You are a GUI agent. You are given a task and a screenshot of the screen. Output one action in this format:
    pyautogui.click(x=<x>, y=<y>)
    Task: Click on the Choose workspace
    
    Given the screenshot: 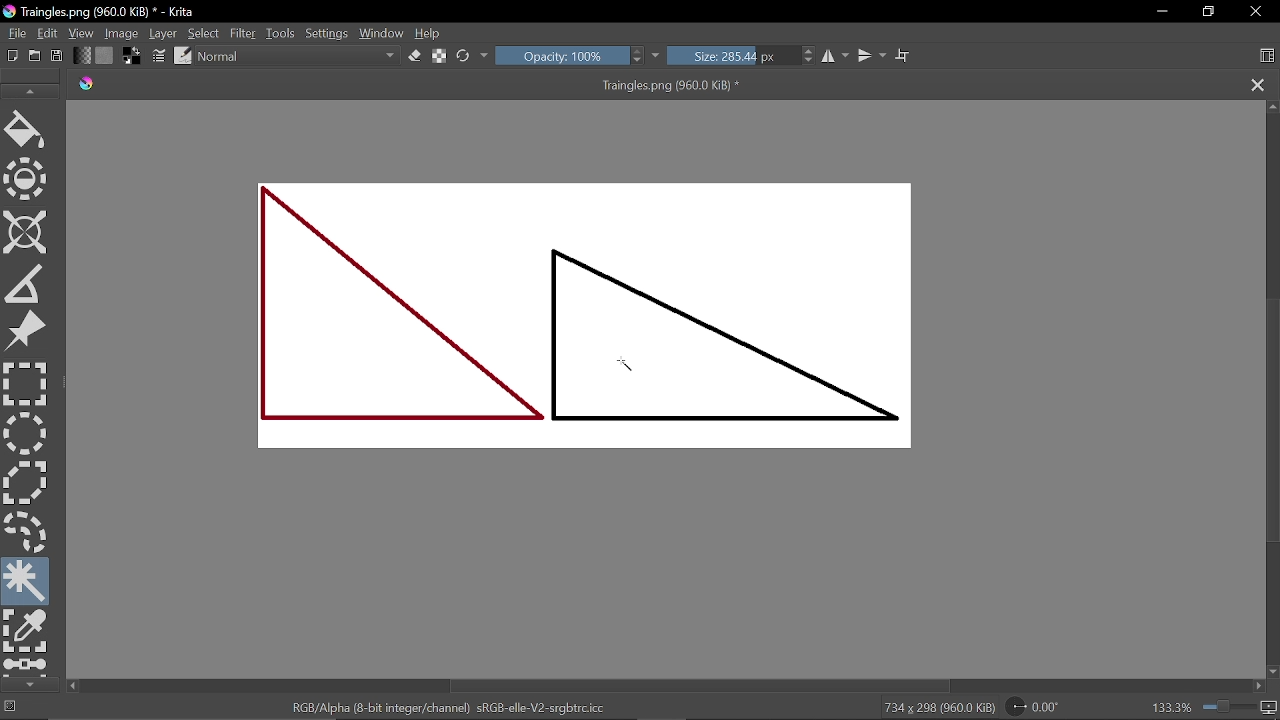 What is the action you would take?
    pyautogui.click(x=1269, y=55)
    